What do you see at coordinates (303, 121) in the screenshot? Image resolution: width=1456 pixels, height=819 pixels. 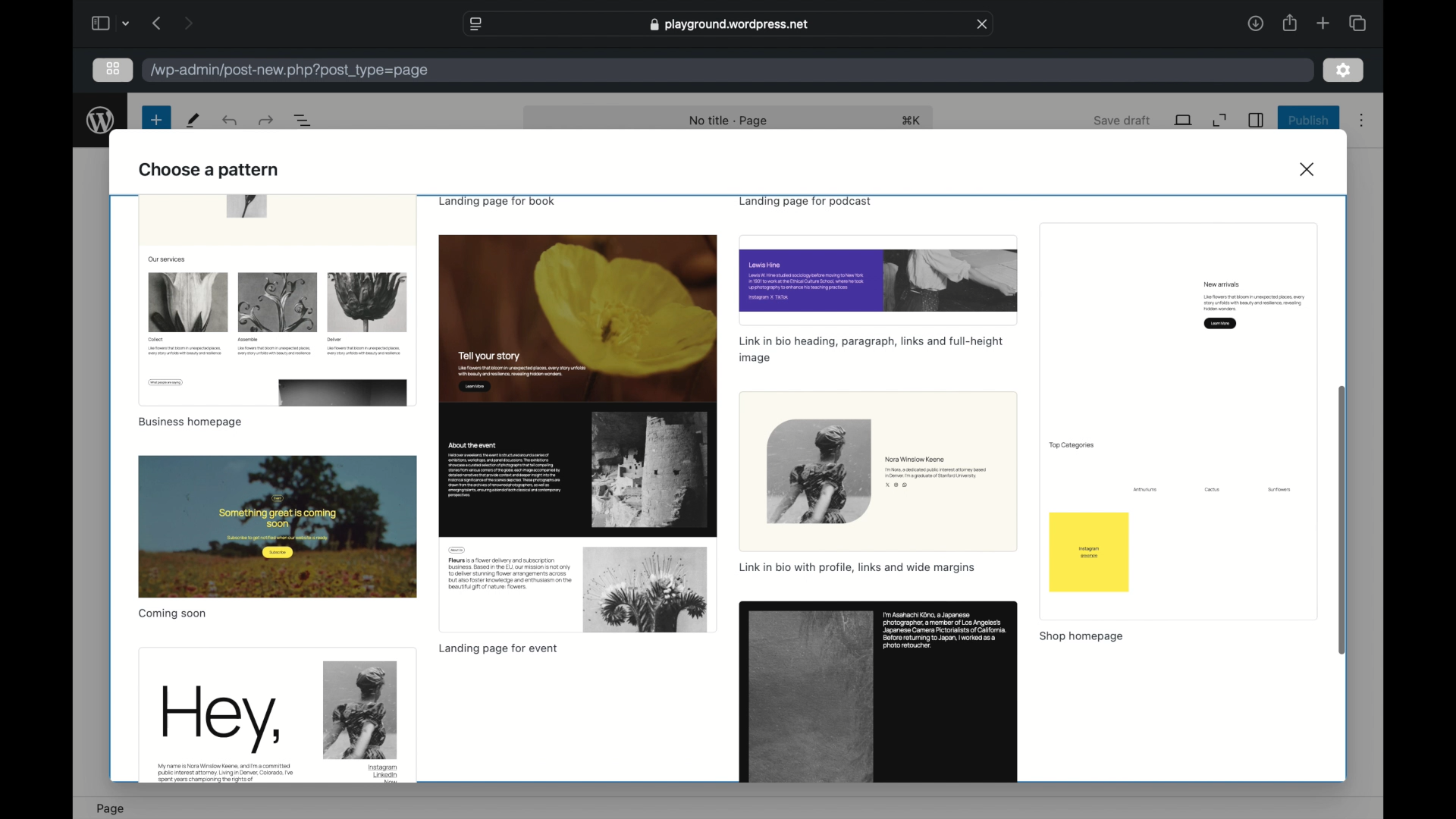 I see `document overview` at bounding box center [303, 121].